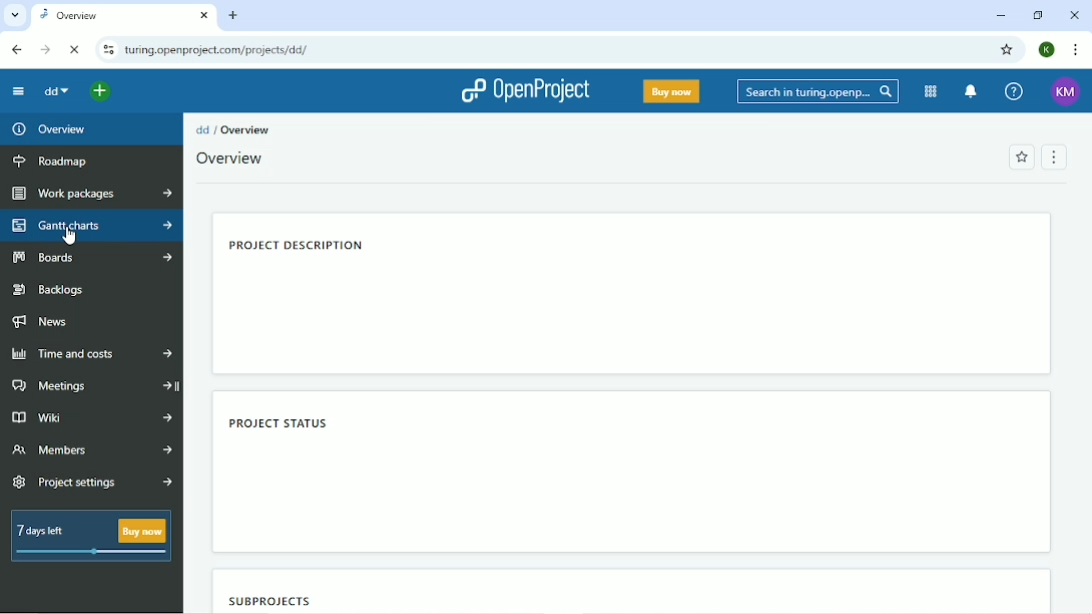  I want to click on Meetings, so click(92, 385).